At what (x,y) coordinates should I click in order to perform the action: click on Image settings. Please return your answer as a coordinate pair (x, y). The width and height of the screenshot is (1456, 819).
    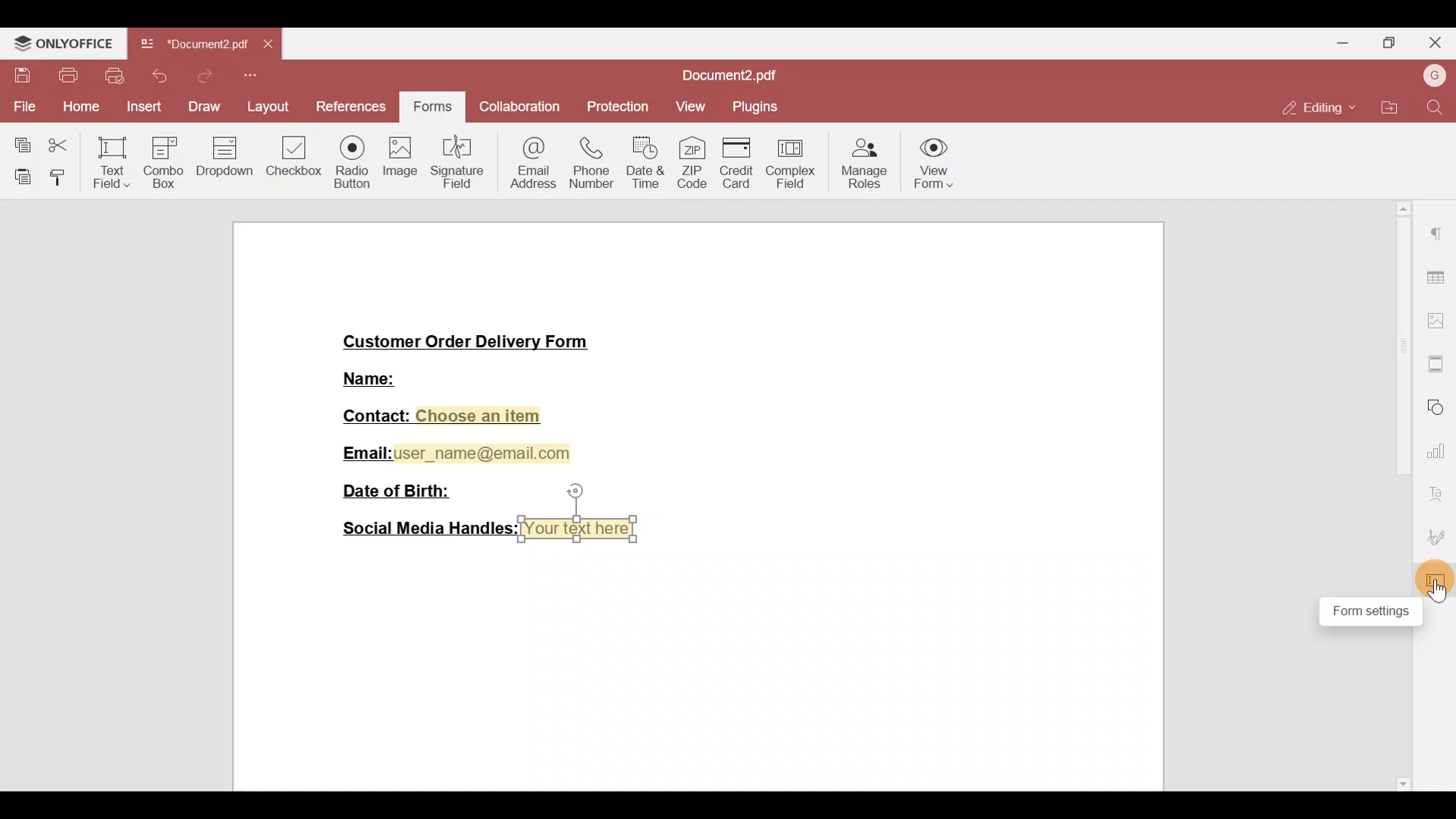
    Looking at the image, I should click on (1439, 315).